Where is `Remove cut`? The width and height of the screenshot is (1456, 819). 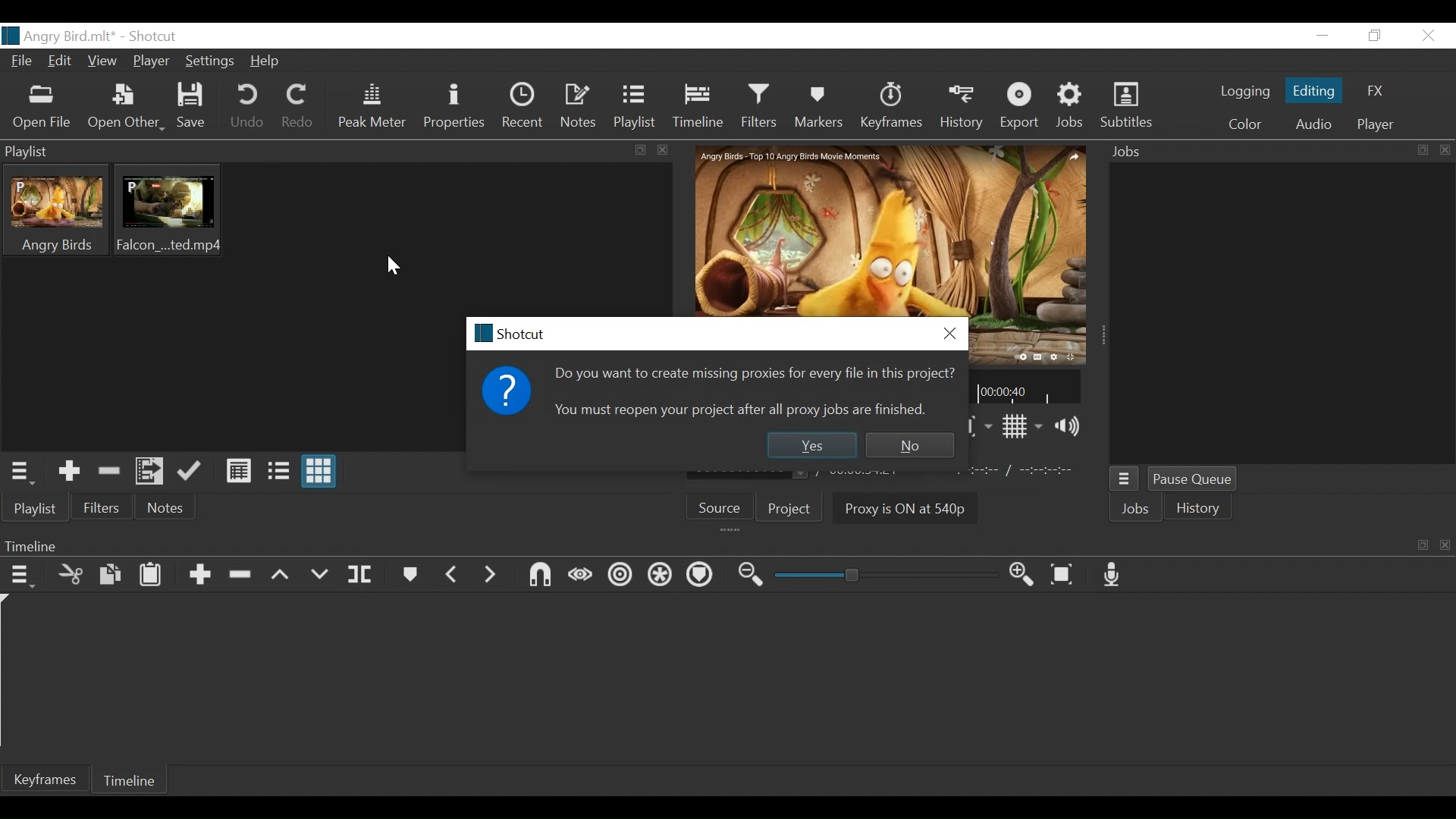 Remove cut is located at coordinates (106, 469).